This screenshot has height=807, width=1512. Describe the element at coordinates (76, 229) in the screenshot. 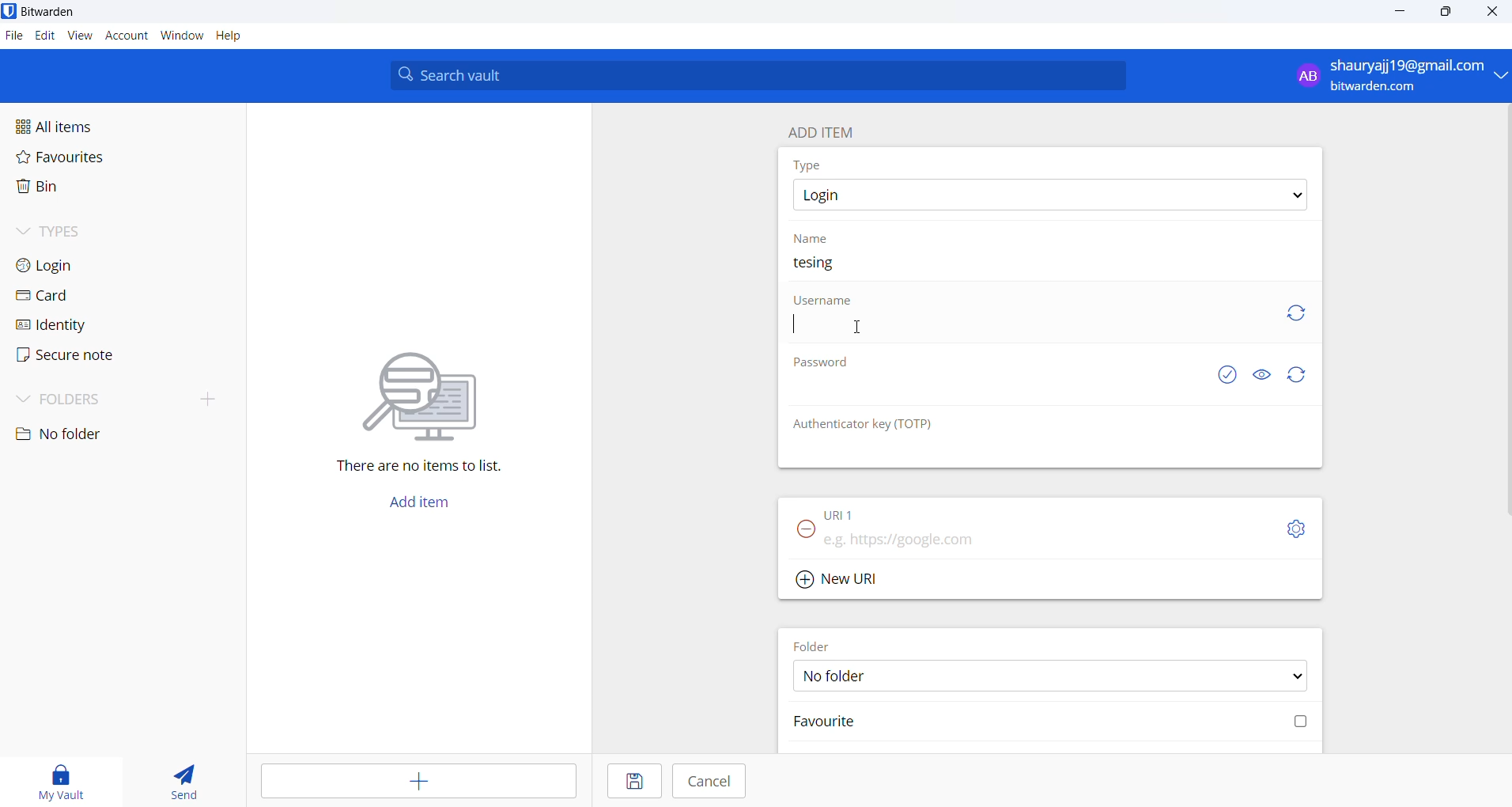

I see `Types` at that location.